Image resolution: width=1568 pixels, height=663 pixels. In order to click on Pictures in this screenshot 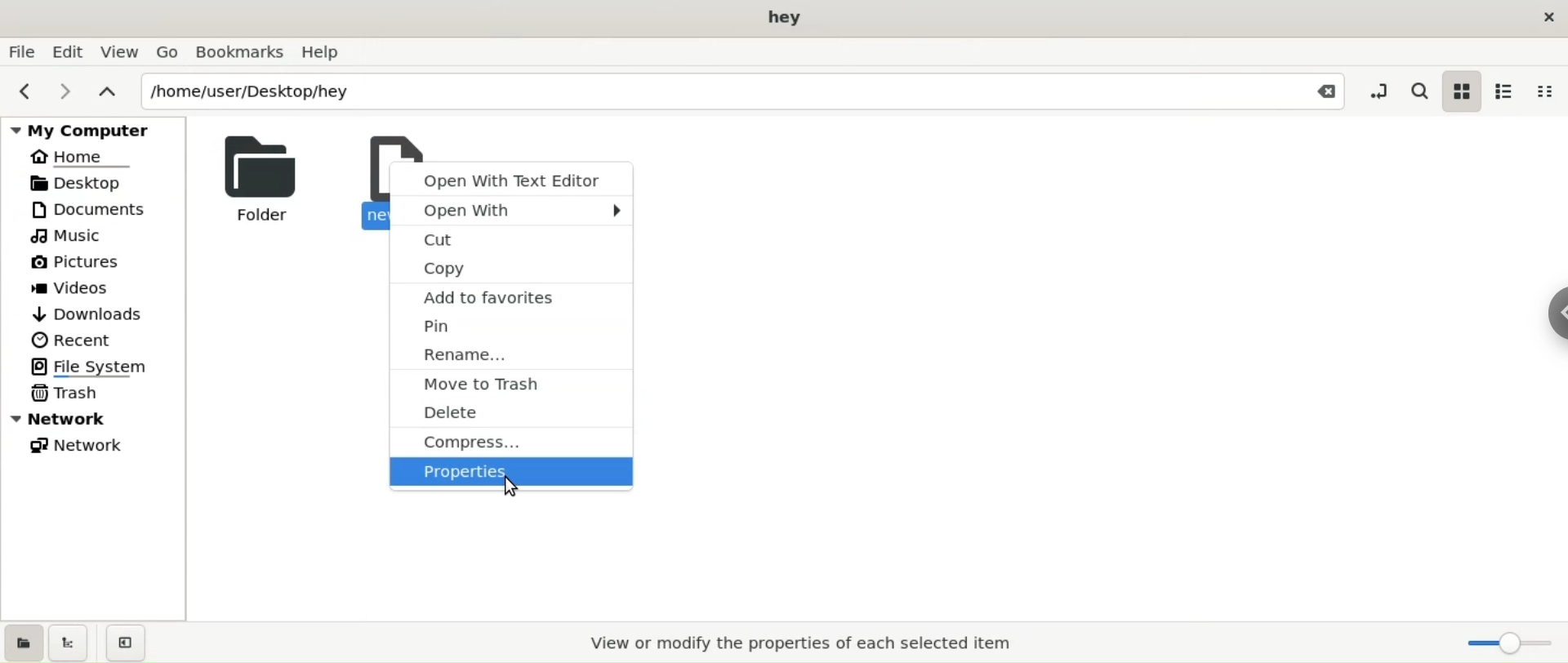, I will do `click(98, 263)`.